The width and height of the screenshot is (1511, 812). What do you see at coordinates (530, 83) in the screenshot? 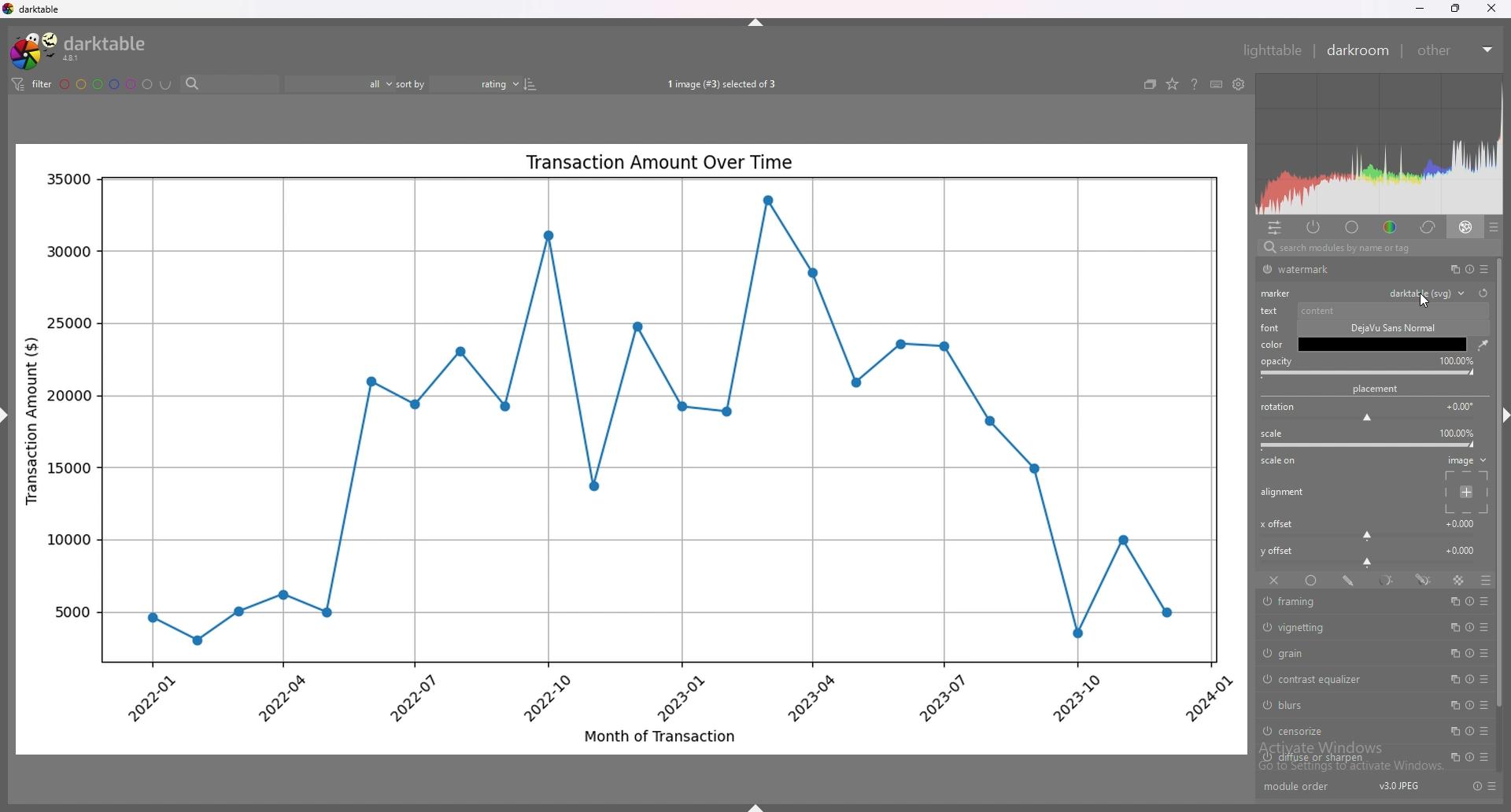
I see `reverse sort order` at bounding box center [530, 83].